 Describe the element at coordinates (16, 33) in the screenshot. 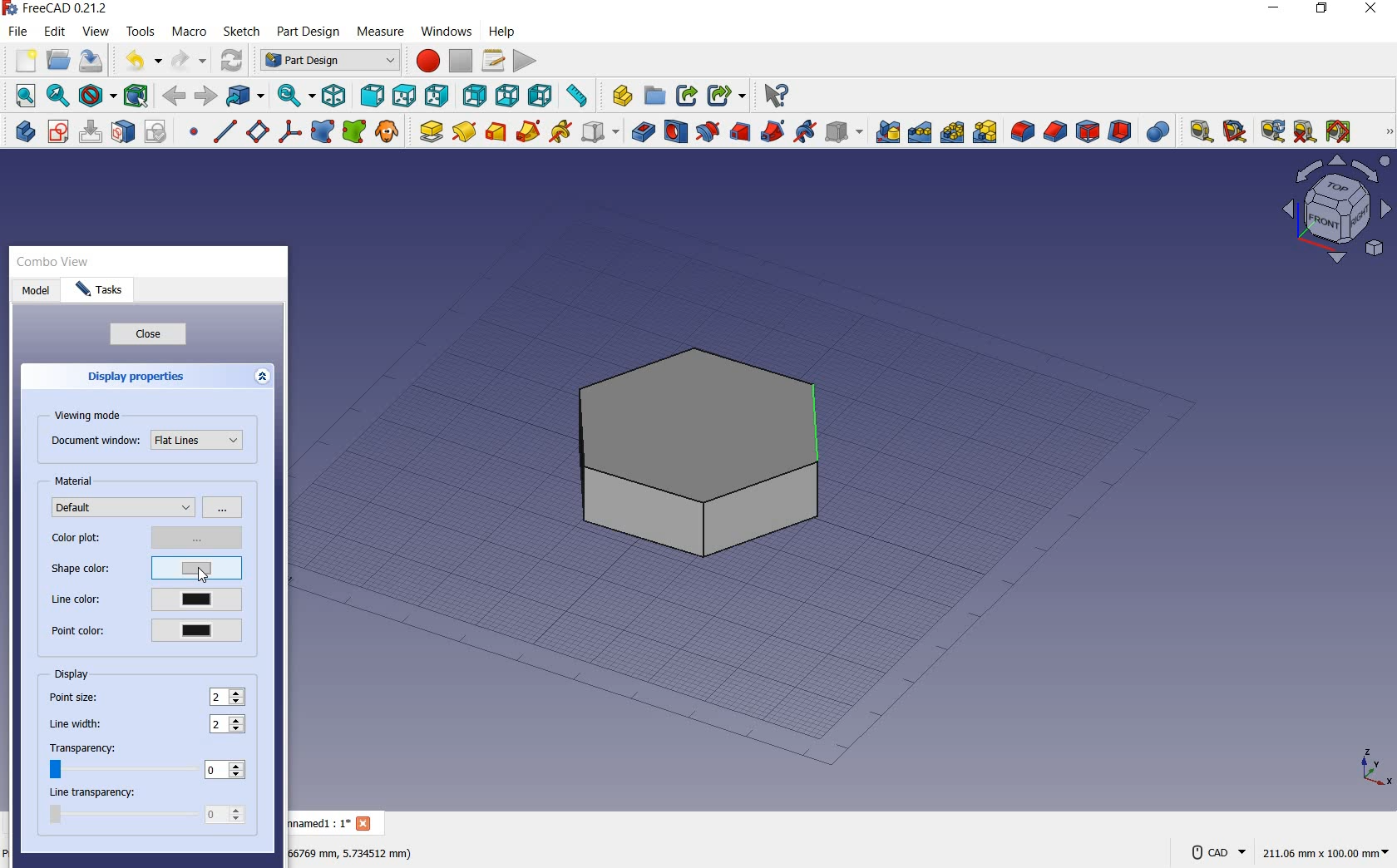

I see `file` at that location.